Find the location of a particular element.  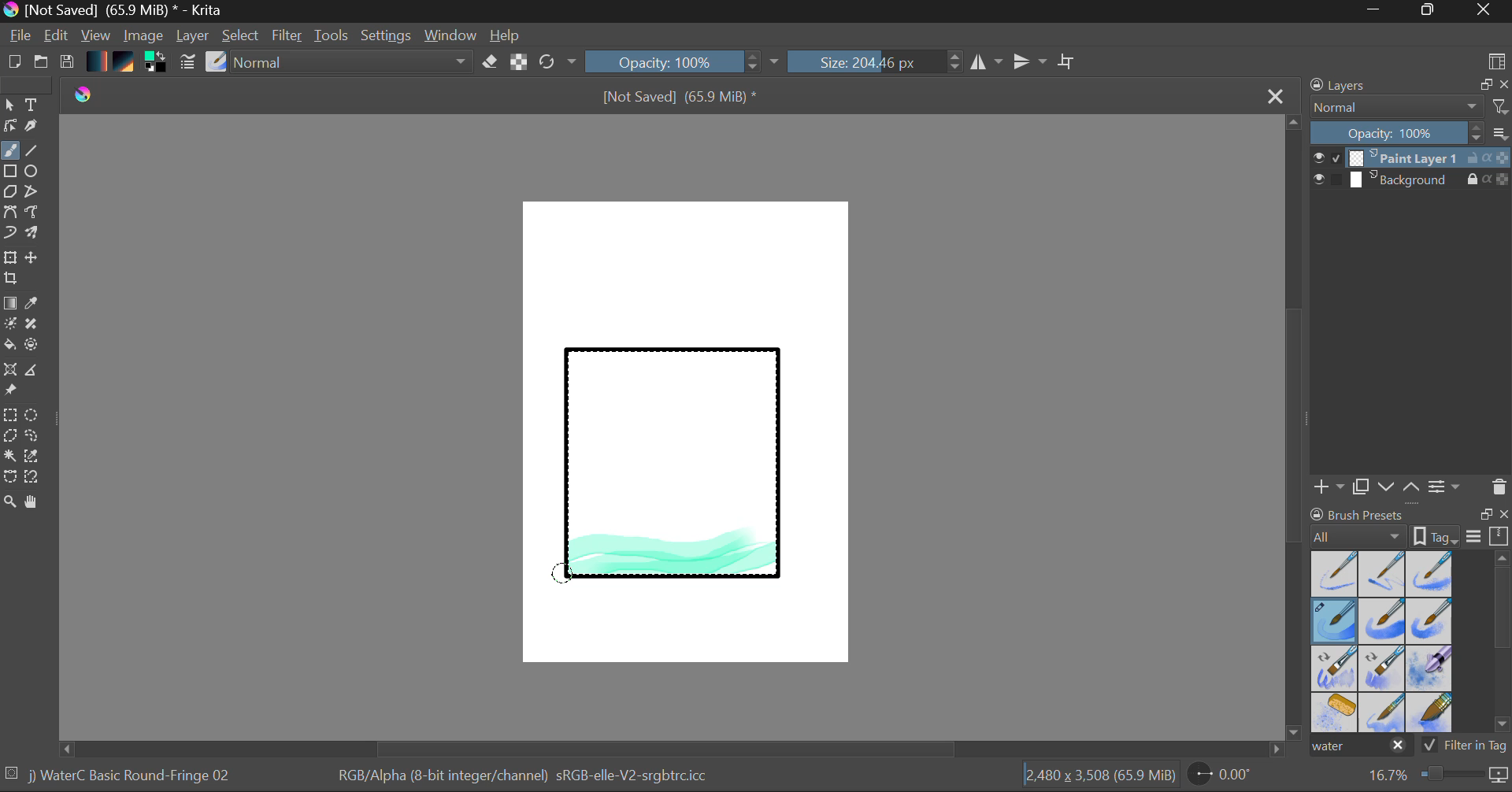

Polyline is located at coordinates (33, 193).